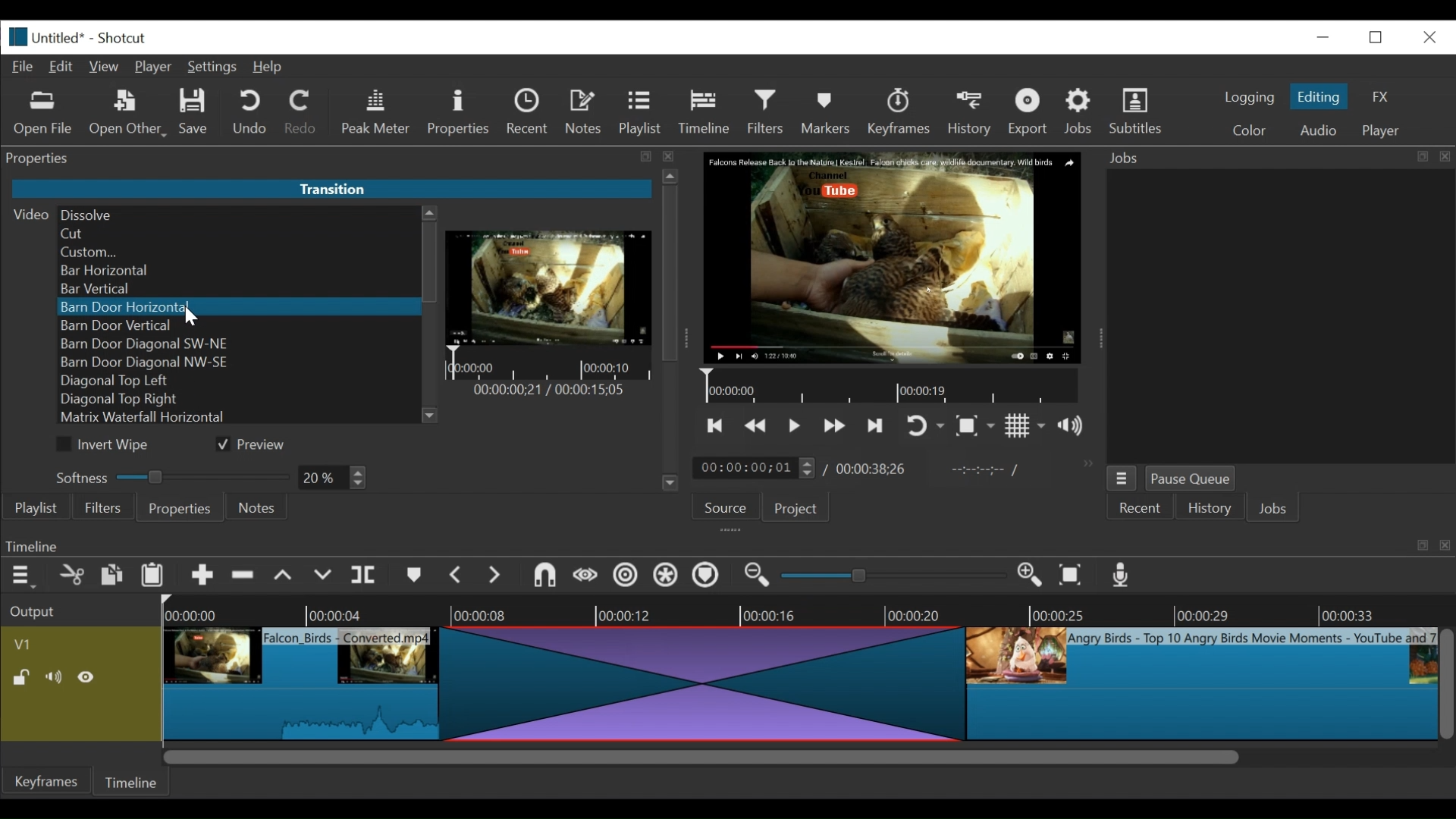 The width and height of the screenshot is (1456, 819). Describe the element at coordinates (81, 644) in the screenshot. I see `Video track` at that location.